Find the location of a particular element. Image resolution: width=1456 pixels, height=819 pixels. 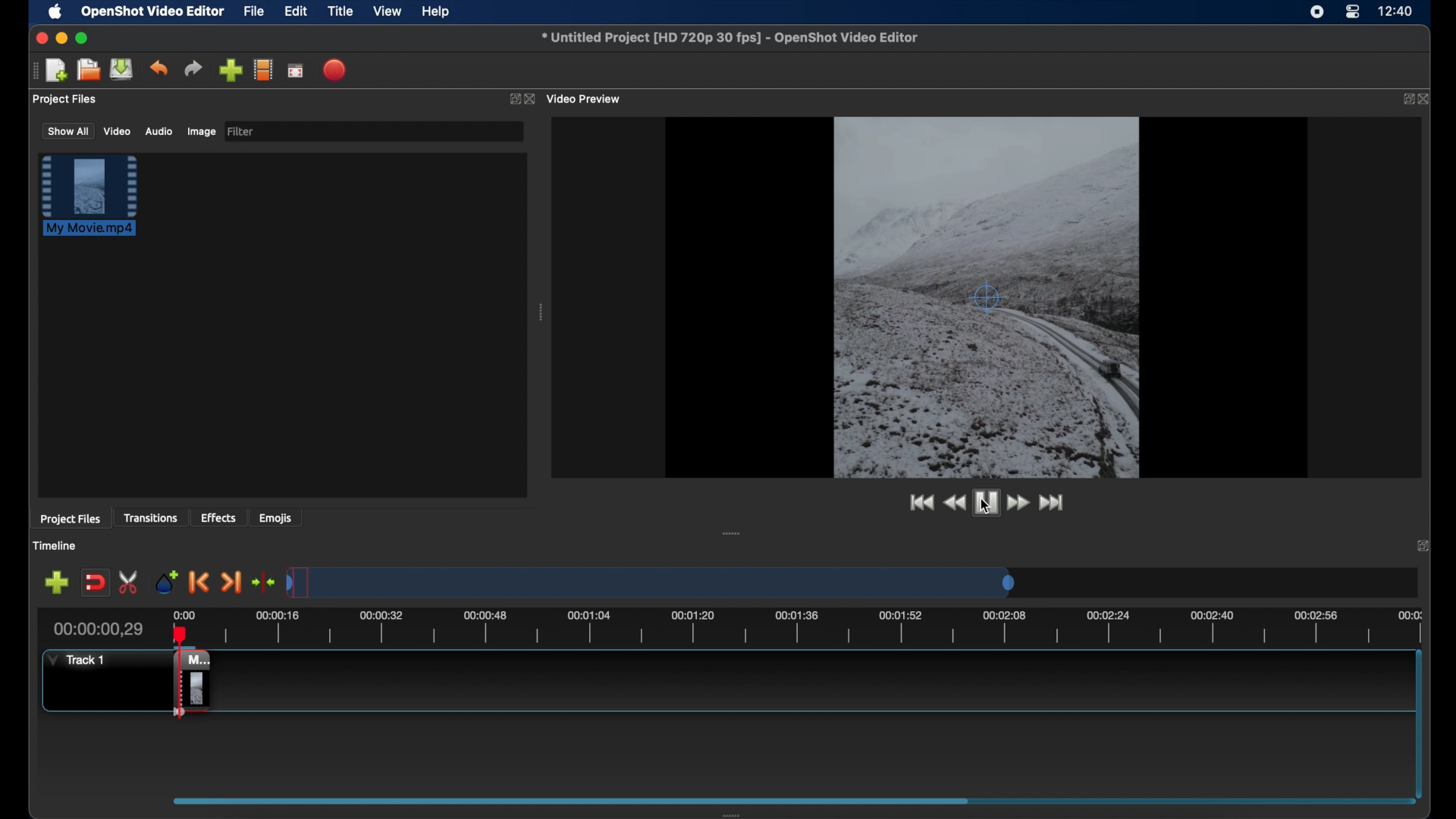

image is located at coordinates (200, 132).